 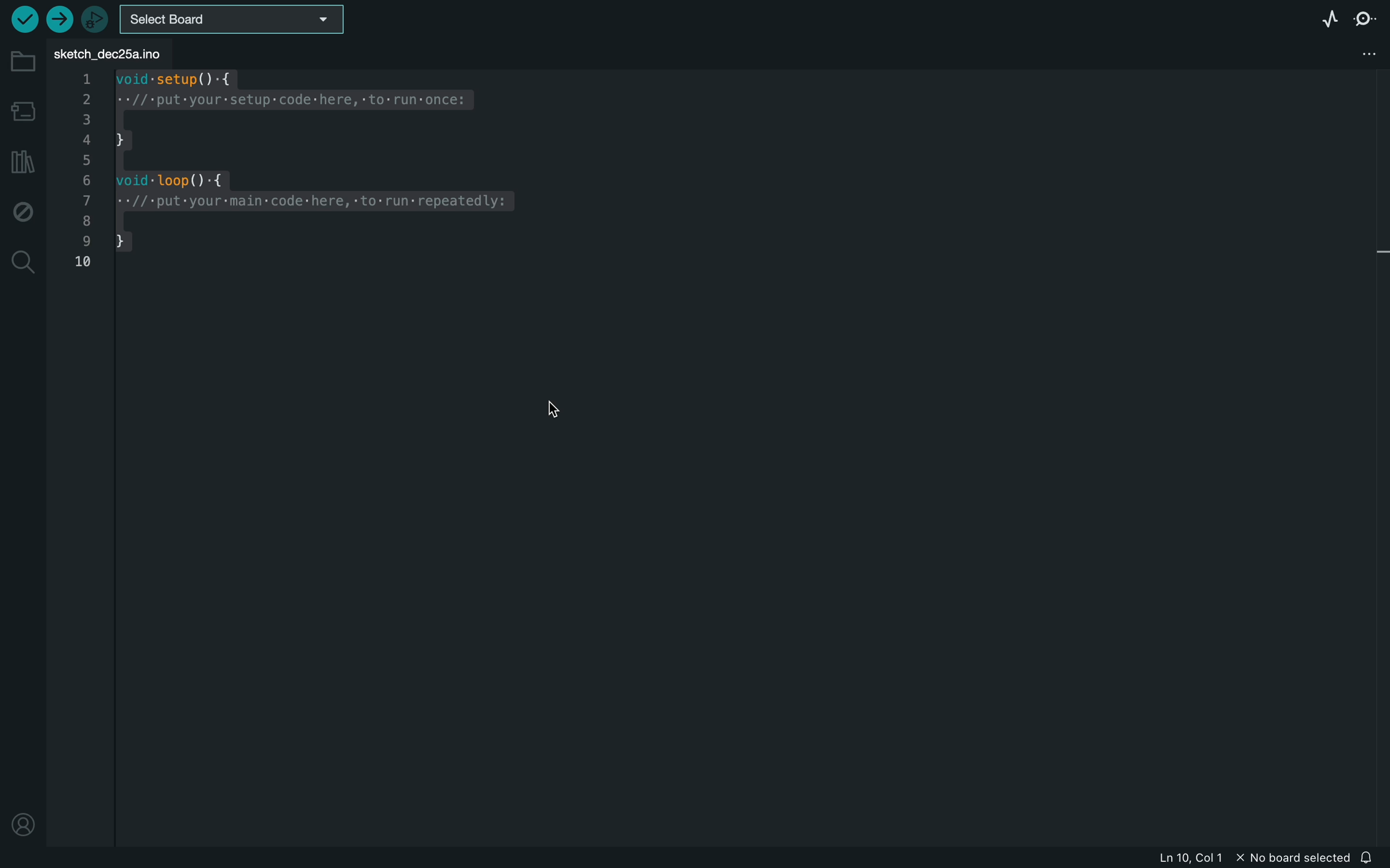 What do you see at coordinates (1369, 858) in the screenshot?
I see `notification` at bounding box center [1369, 858].